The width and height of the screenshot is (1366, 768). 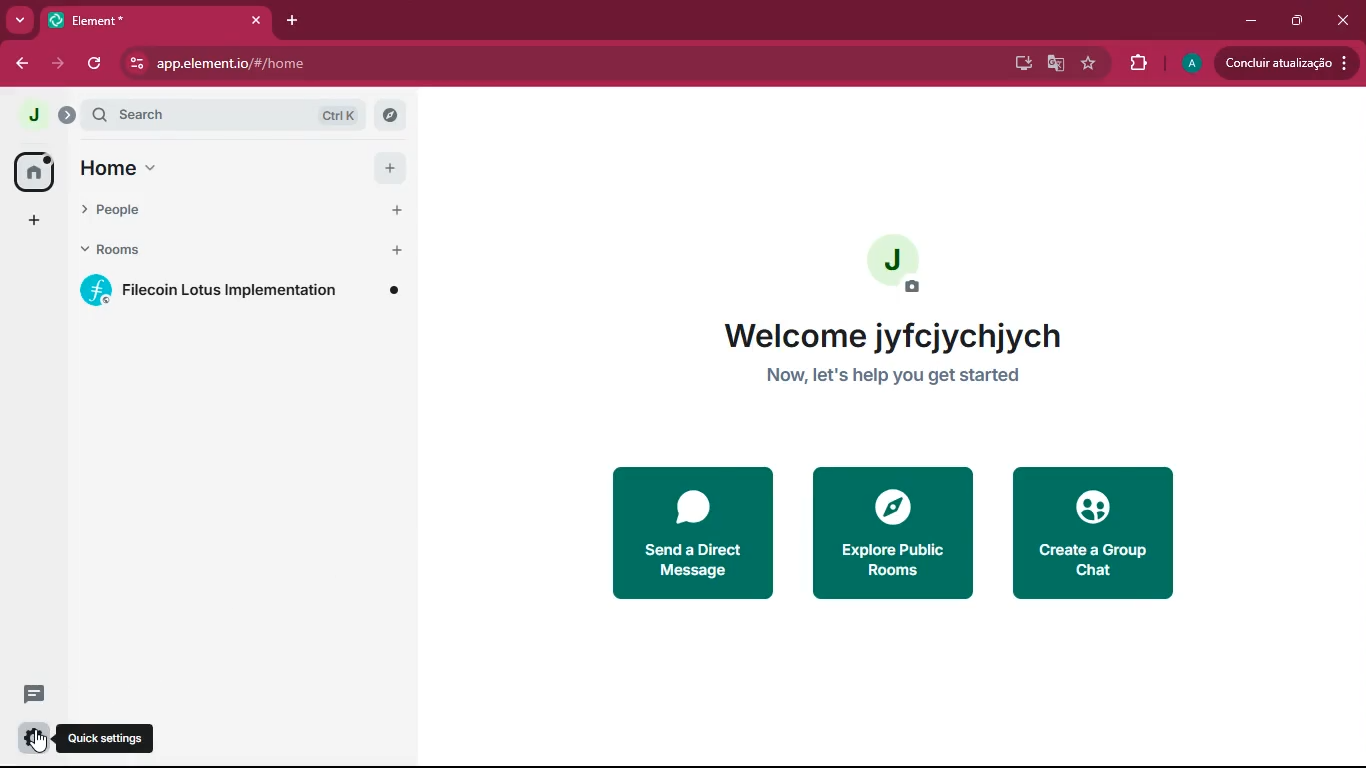 I want to click on update, so click(x=1285, y=62).